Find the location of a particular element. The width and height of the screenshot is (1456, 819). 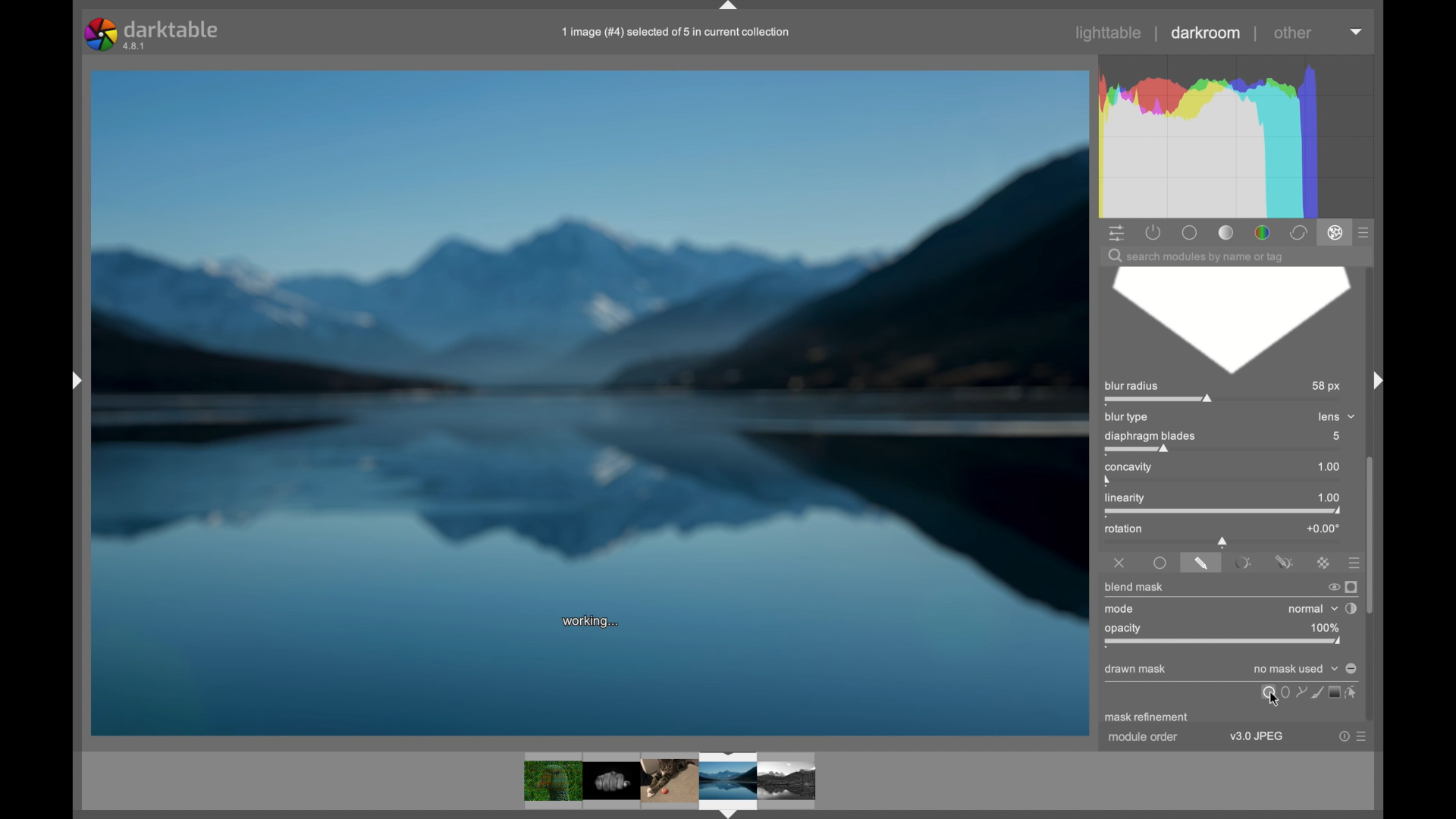

rastermask is located at coordinates (1323, 561).